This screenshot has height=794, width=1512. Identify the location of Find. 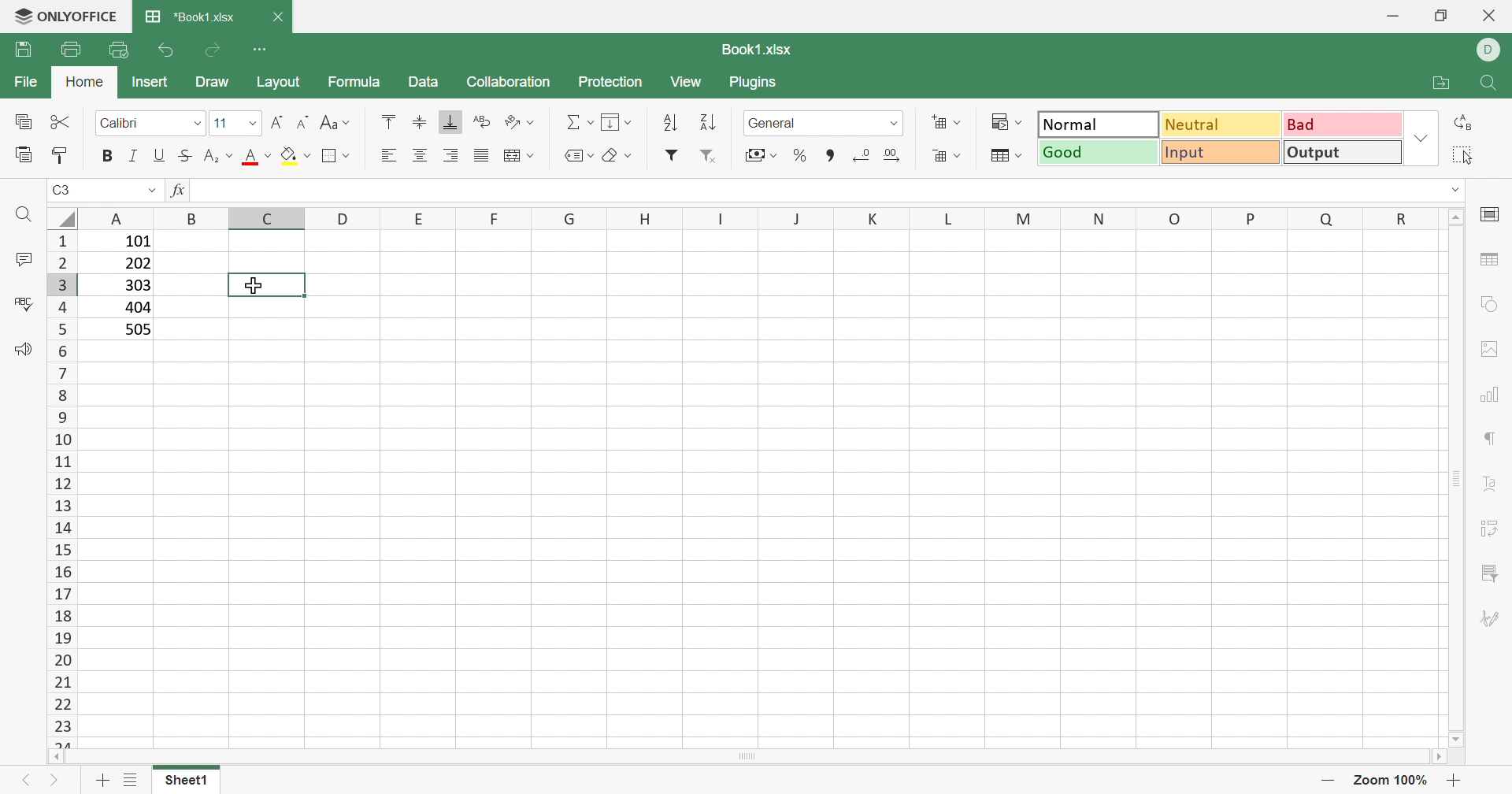
(1490, 83).